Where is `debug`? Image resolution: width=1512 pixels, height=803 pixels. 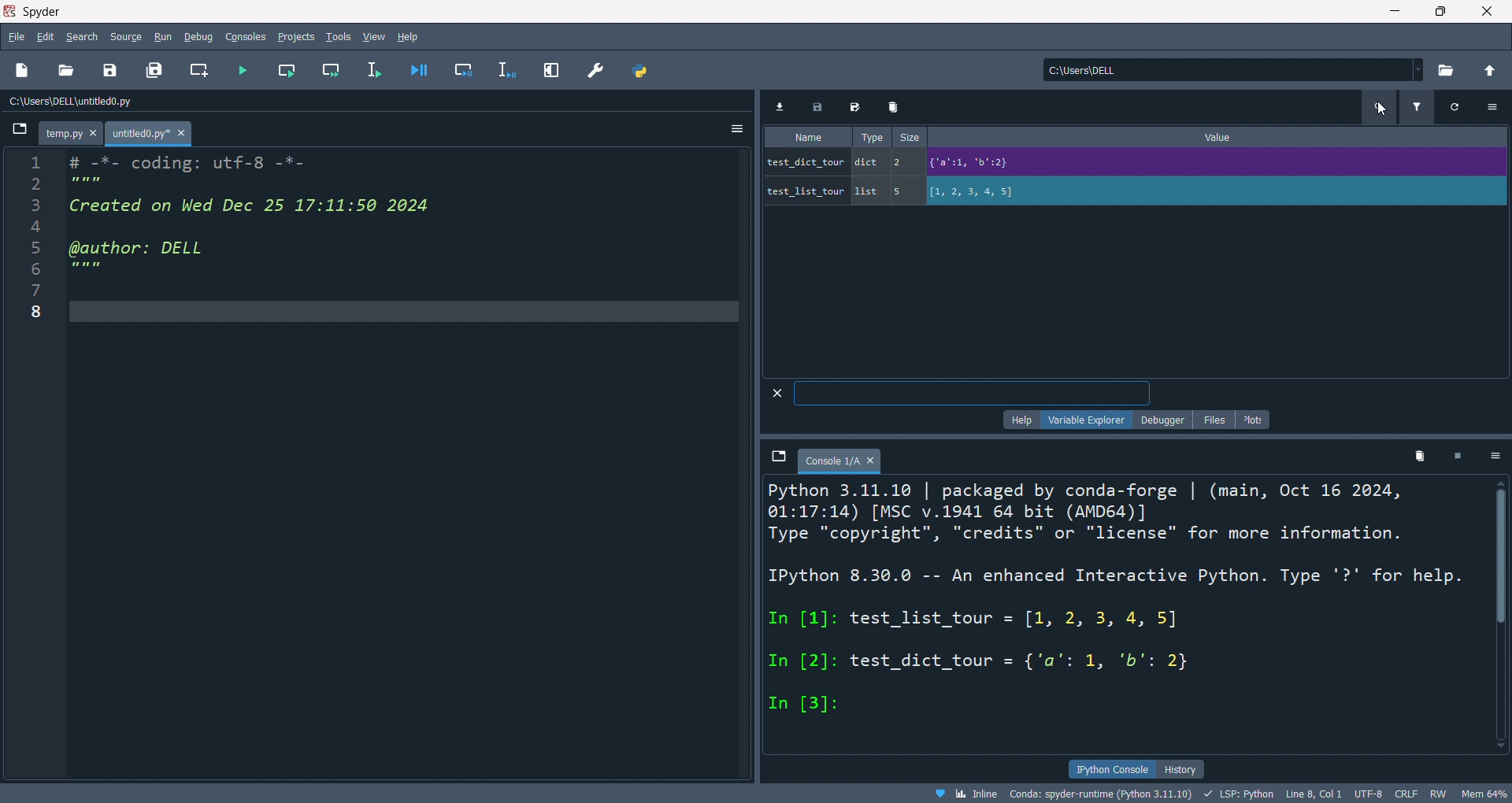 debug is located at coordinates (198, 35).